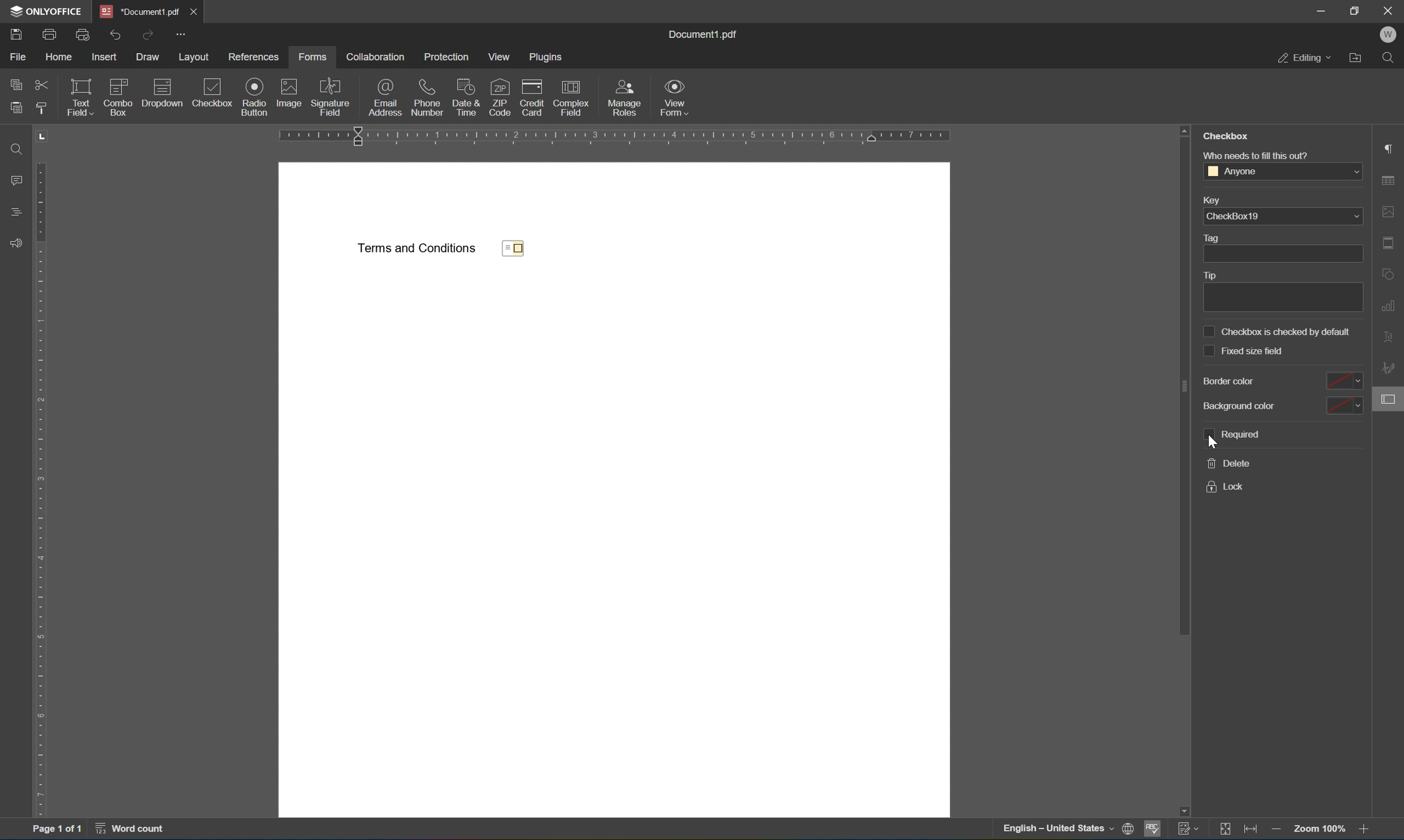 This screenshot has width=1404, height=840. What do you see at coordinates (466, 97) in the screenshot?
I see `date and time` at bounding box center [466, 97].